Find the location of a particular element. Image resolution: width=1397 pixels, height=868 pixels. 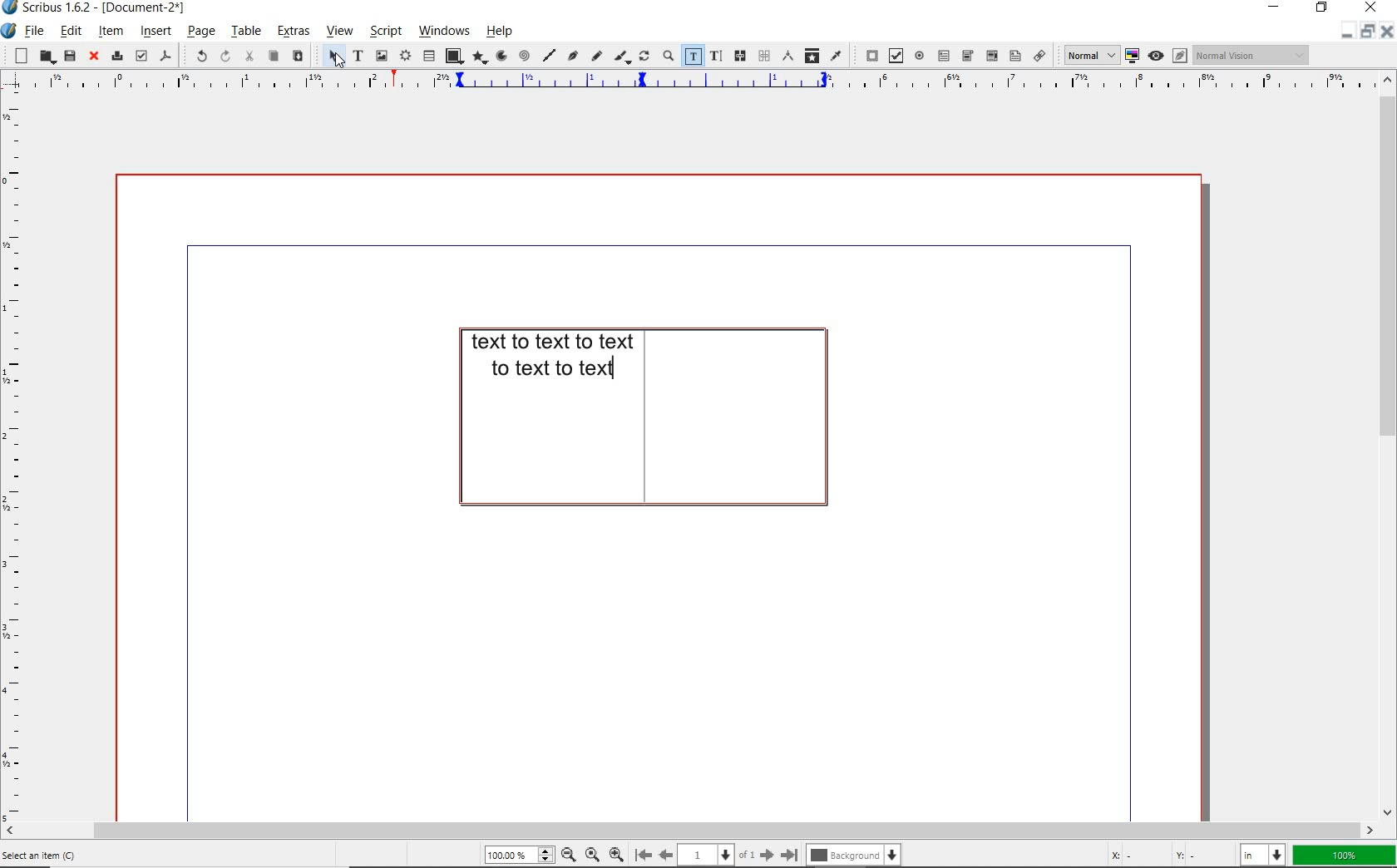

unlink text frames is located at coordinates (763, 57).